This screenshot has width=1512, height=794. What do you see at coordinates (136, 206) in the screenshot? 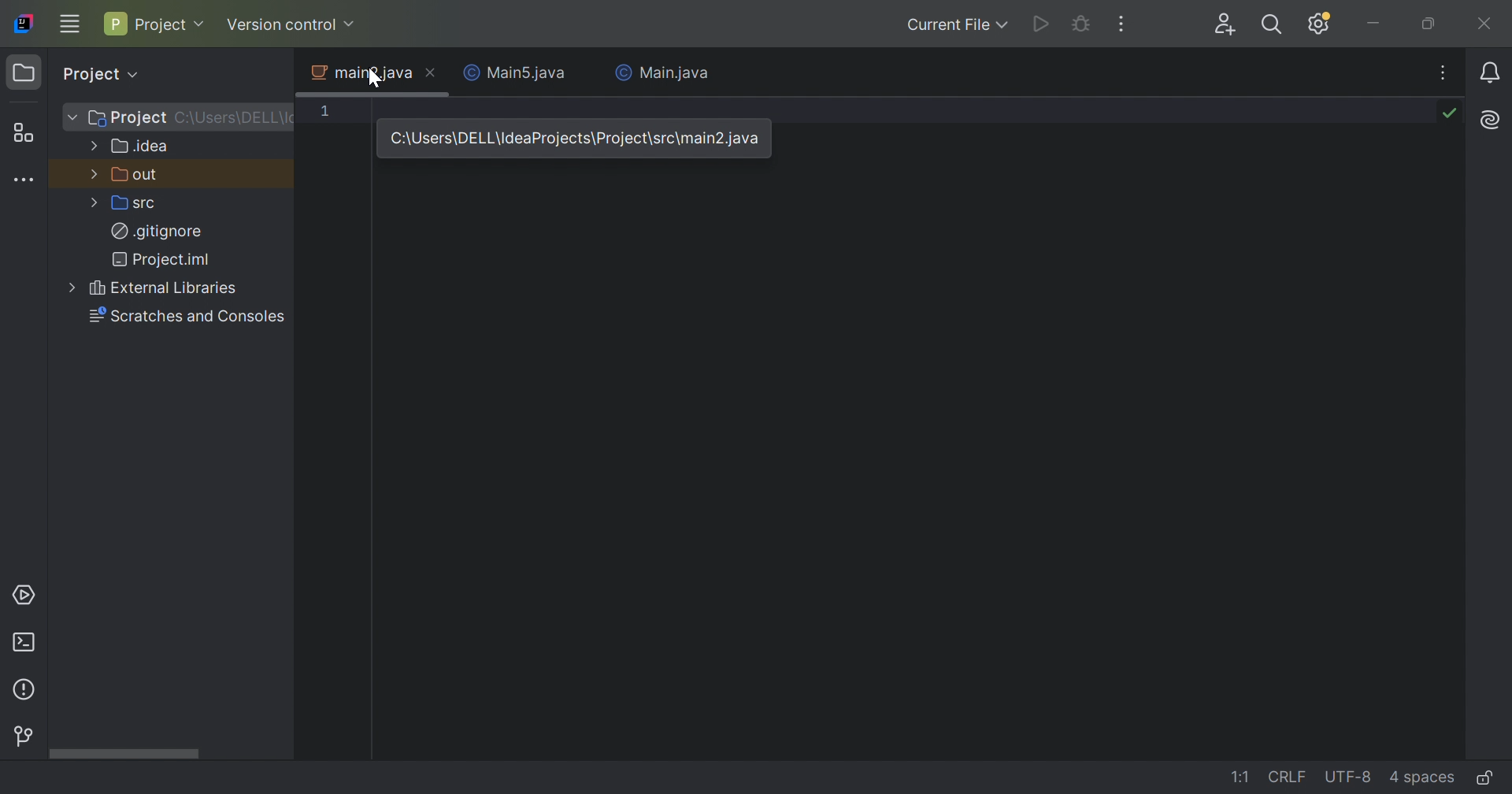
I see `src` at bounding box center [136, 206].